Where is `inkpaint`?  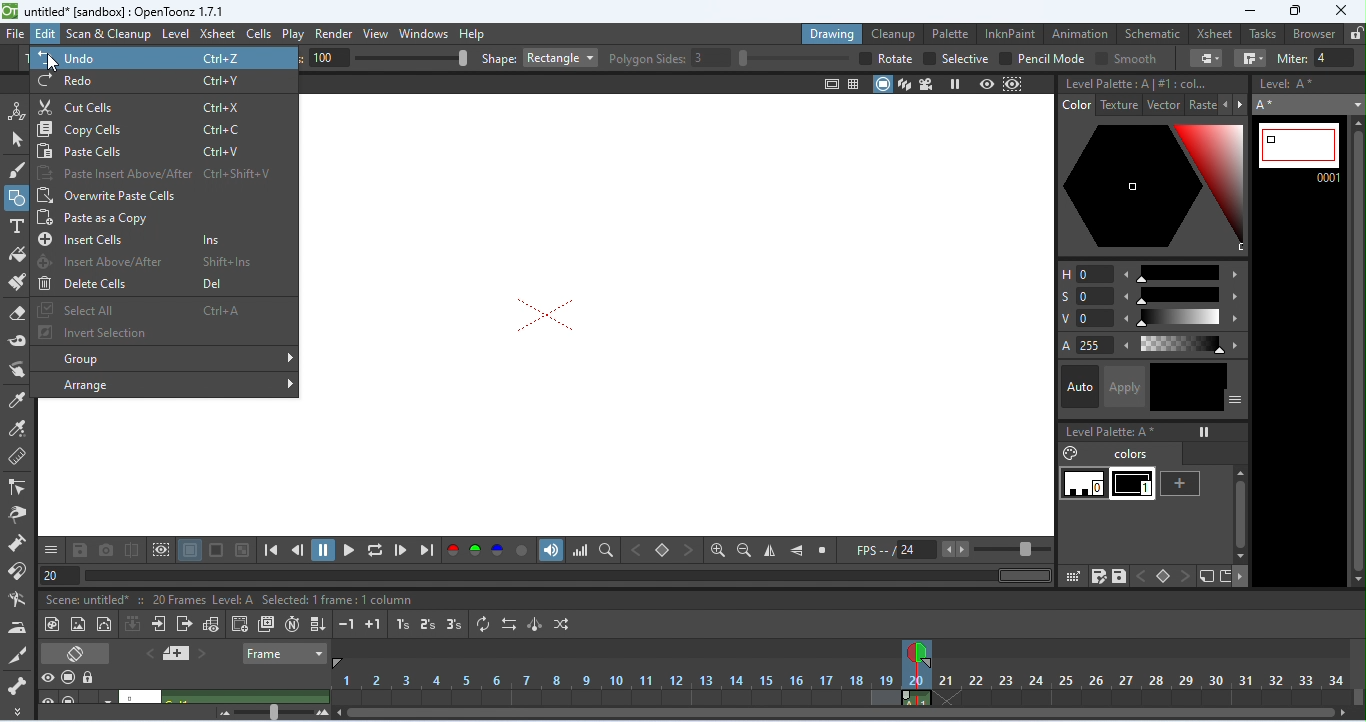 inkpaint is located at coordinates (1010, 33).